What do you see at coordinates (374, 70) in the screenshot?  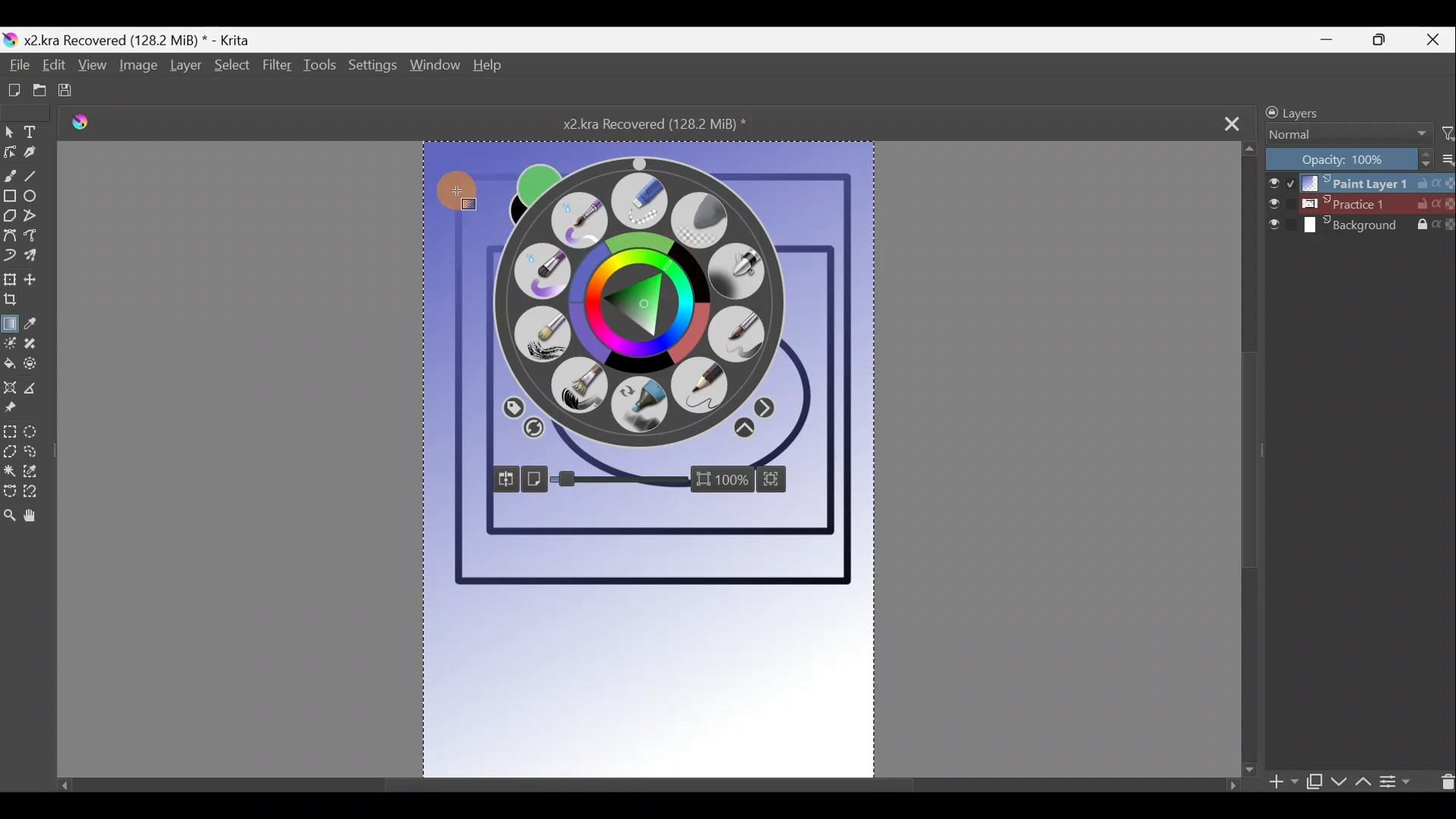 I see `Settings` at bounding box center [374, 70].